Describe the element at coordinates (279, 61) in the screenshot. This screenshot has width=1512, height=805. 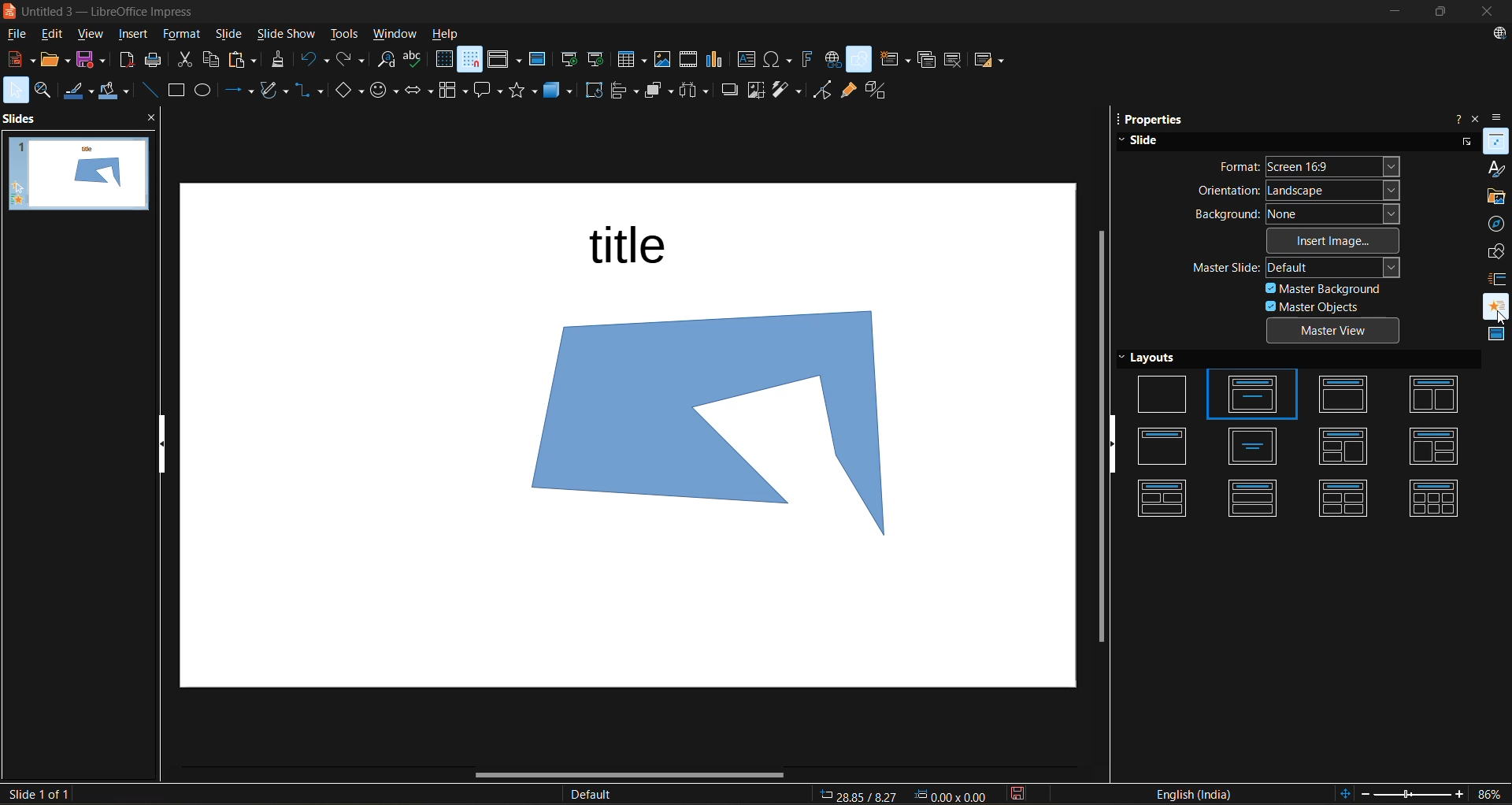
I see `clone formatting` at that location.